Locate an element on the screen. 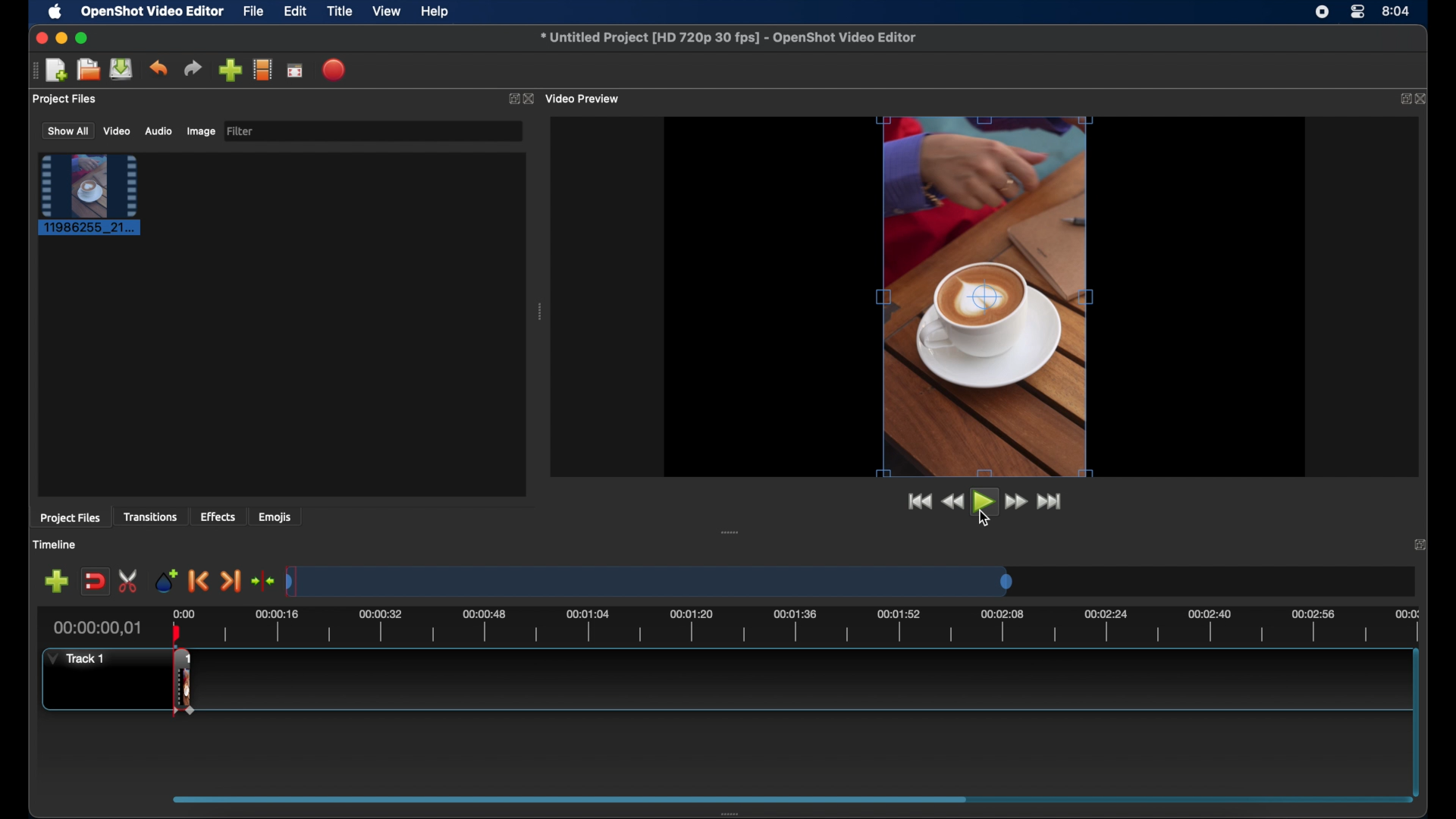  maximize is located at coordinates (83, 38).